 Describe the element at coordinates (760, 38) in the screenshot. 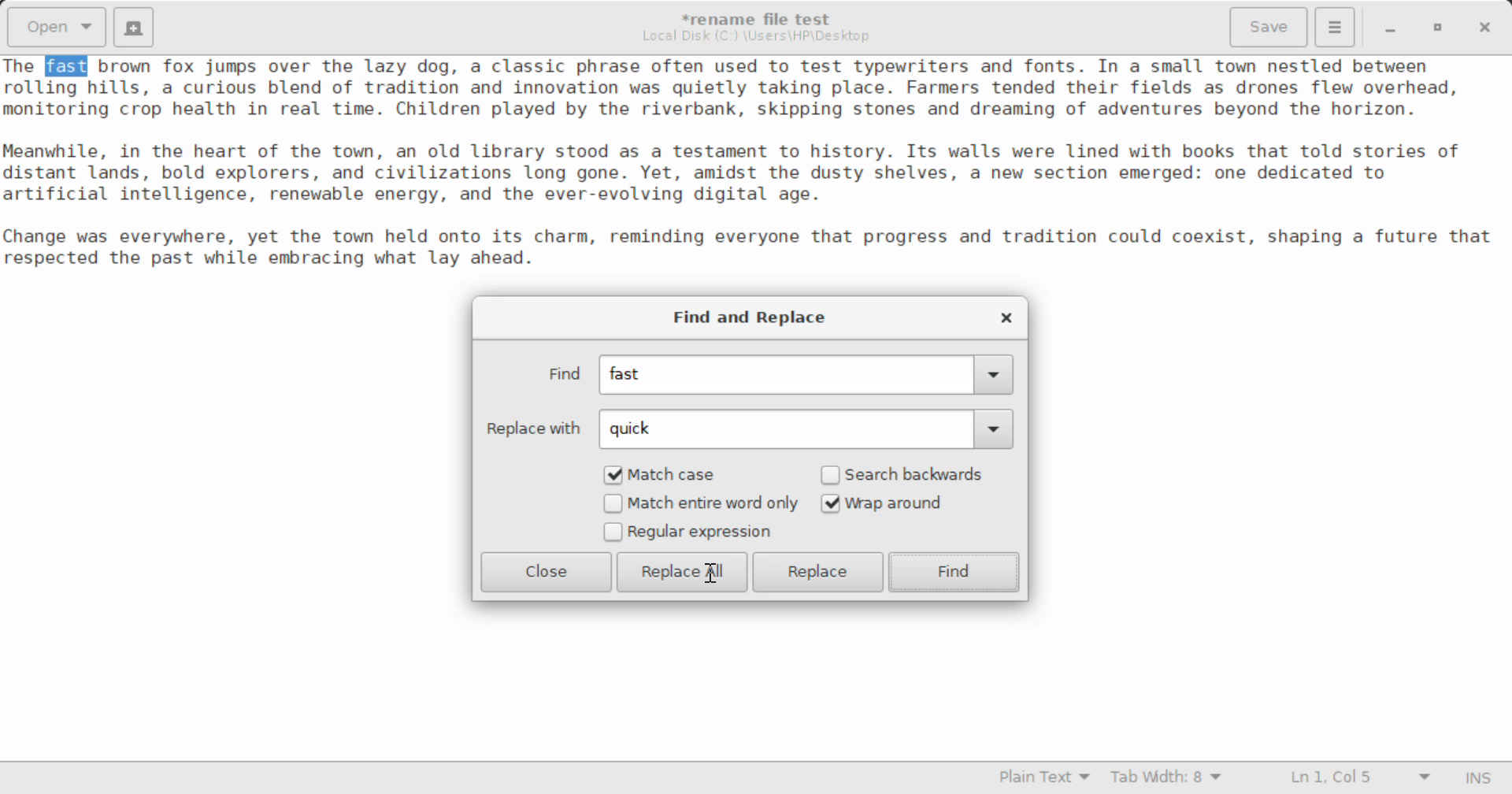

I see `File Location` at that location.